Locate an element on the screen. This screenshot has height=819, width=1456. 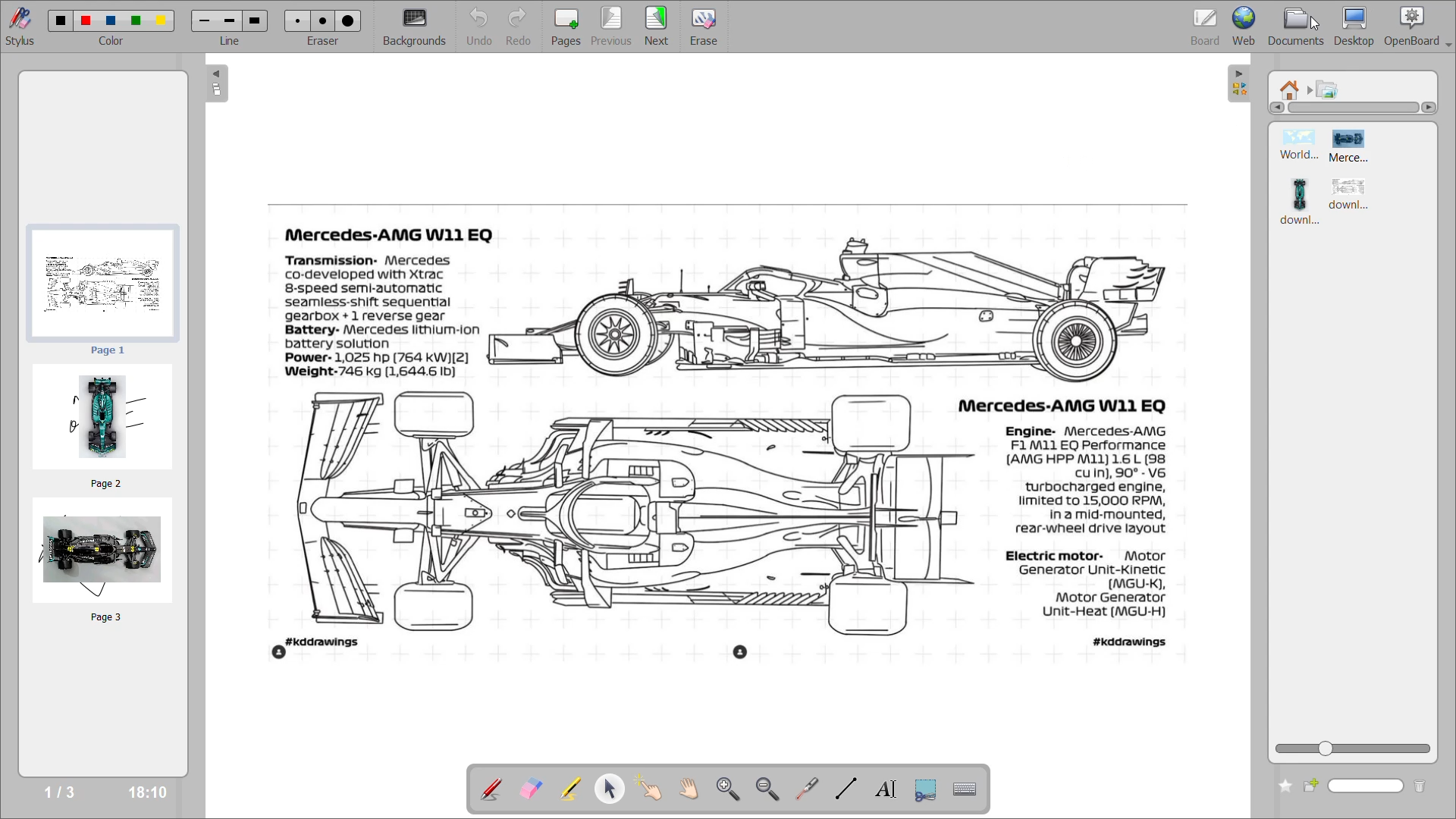
Transmission- Mercedes co-developed with Xtrac 8-speed semi -automatic seamless-shift sequential gearbox + 1 reverse gear Battery- Mercedes lithium-ion battery solution Power- 1,025 hp (764 KW)[2]Weight-746 kg (1,644.6 Ib) is located at coordinates (380, 316).